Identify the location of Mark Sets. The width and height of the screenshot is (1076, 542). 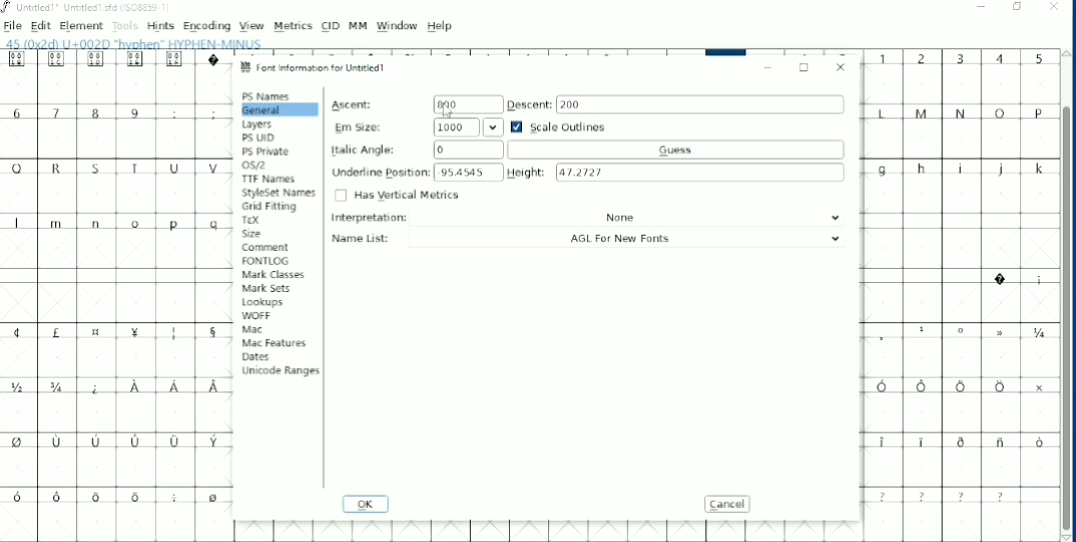
(268, 290).